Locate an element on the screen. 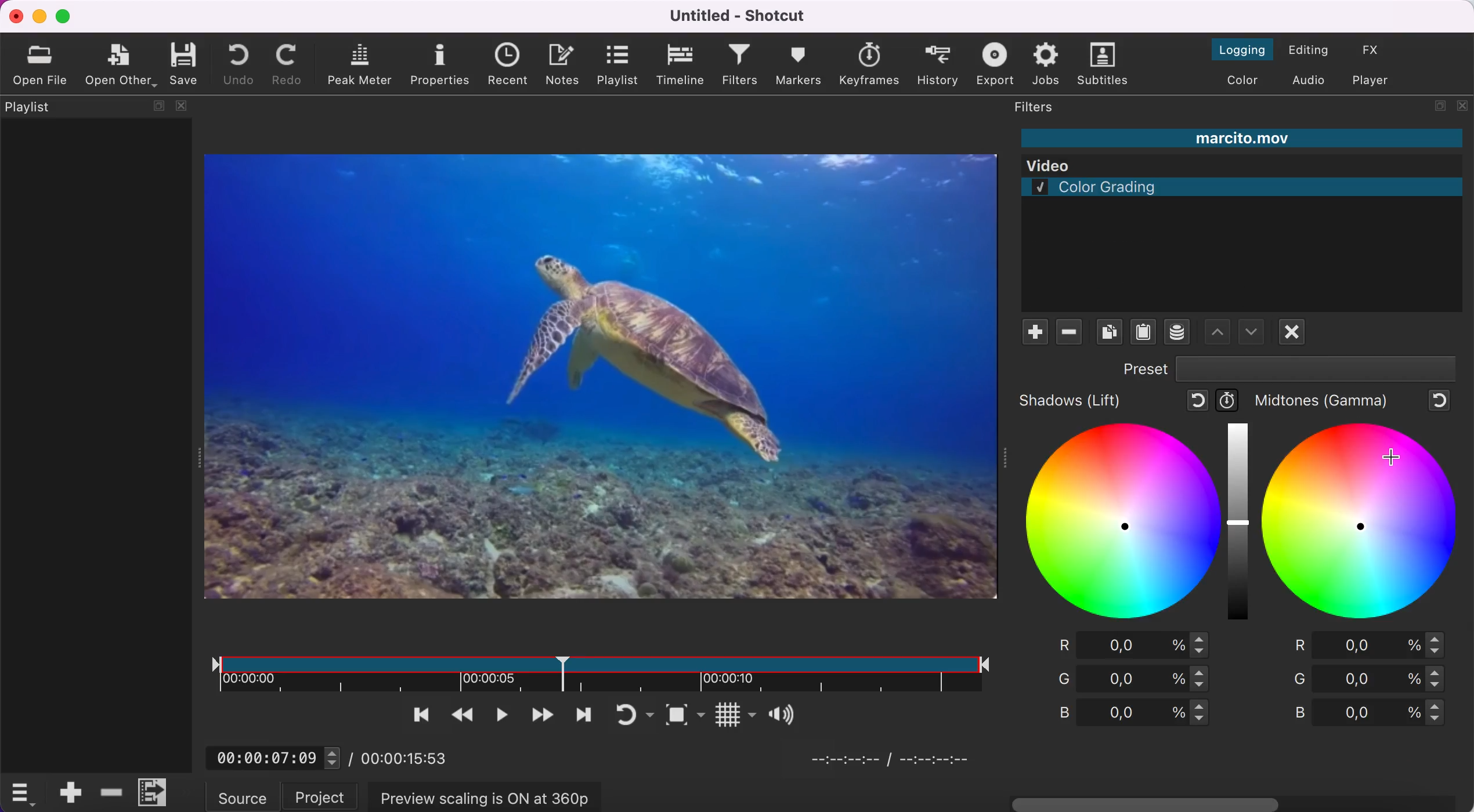  switch to the effect layout is located at coordinates (1383, 50).